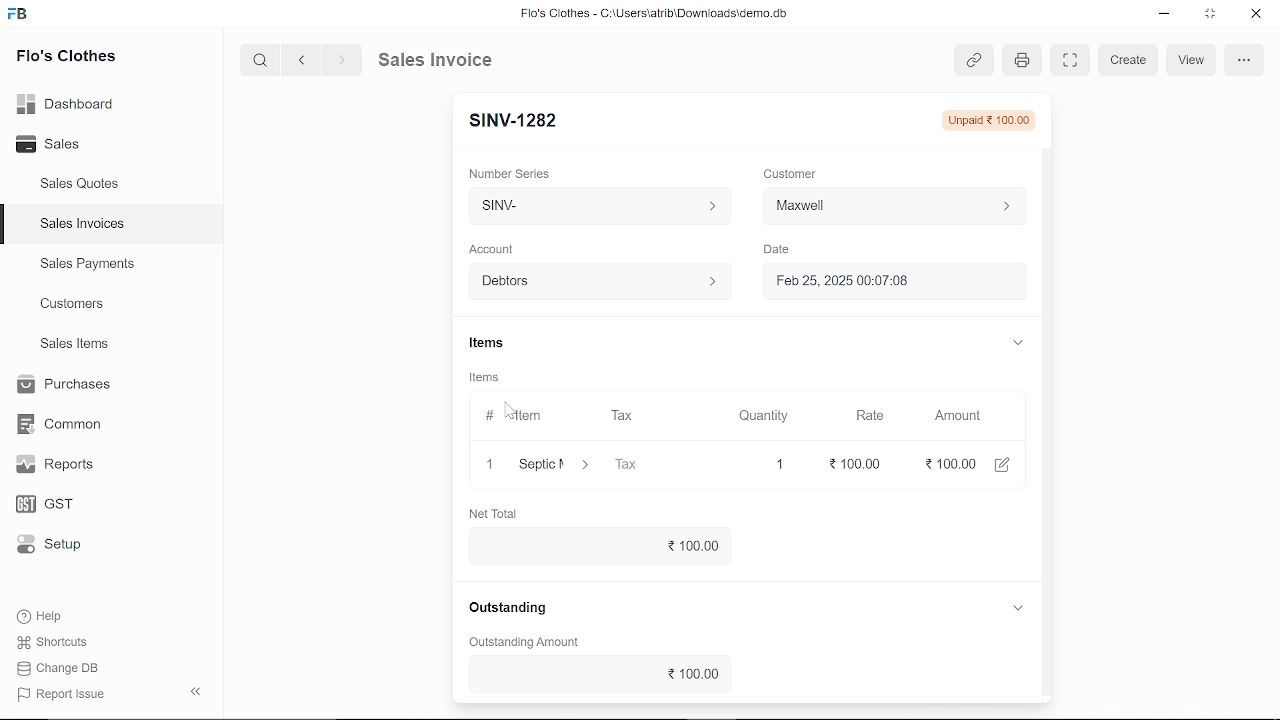 This screenshot has width=1280, height=720. I want to click on Insert Customer, so click(890, 206).